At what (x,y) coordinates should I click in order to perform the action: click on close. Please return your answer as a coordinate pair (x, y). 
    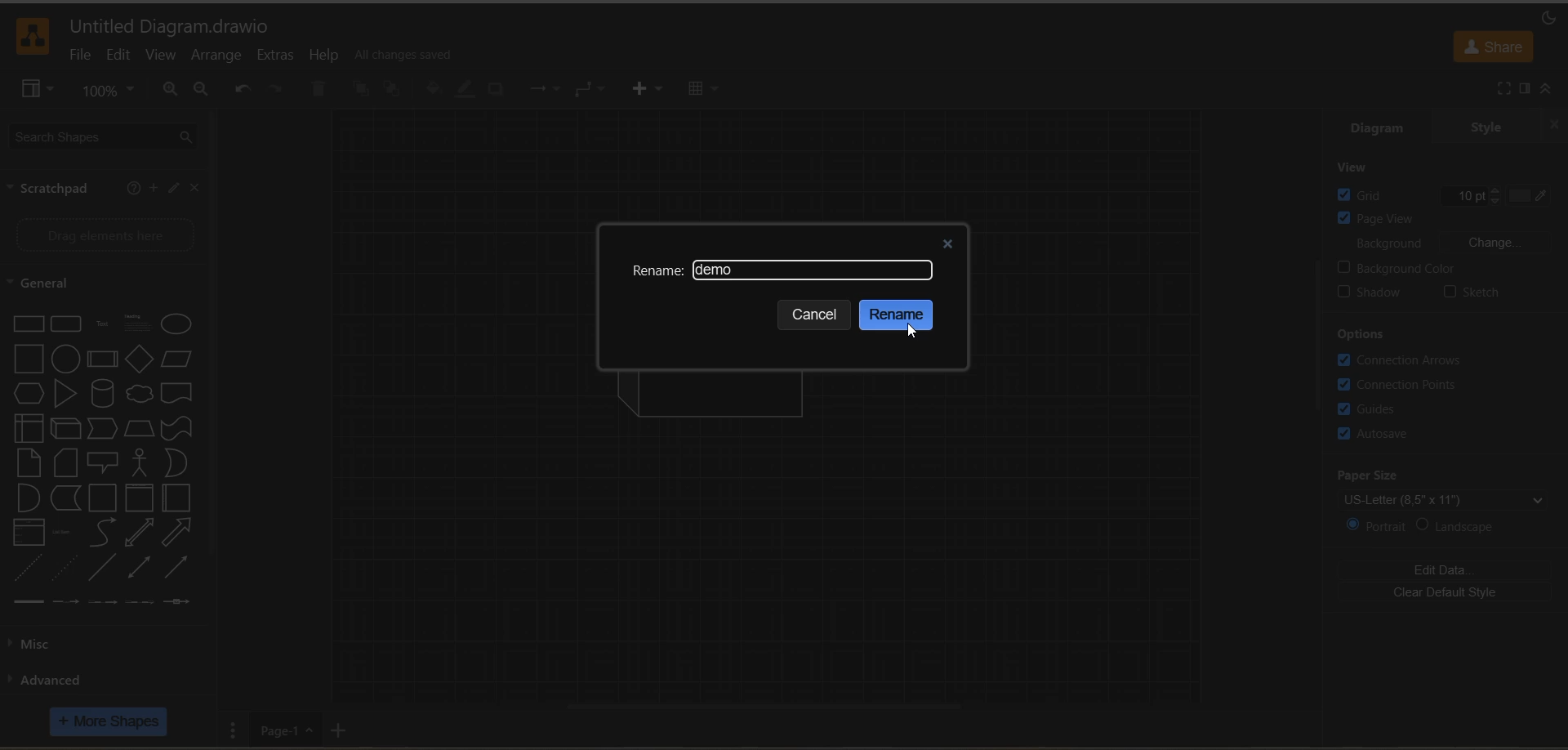
    Looking at the image, I should click on (947, 240).